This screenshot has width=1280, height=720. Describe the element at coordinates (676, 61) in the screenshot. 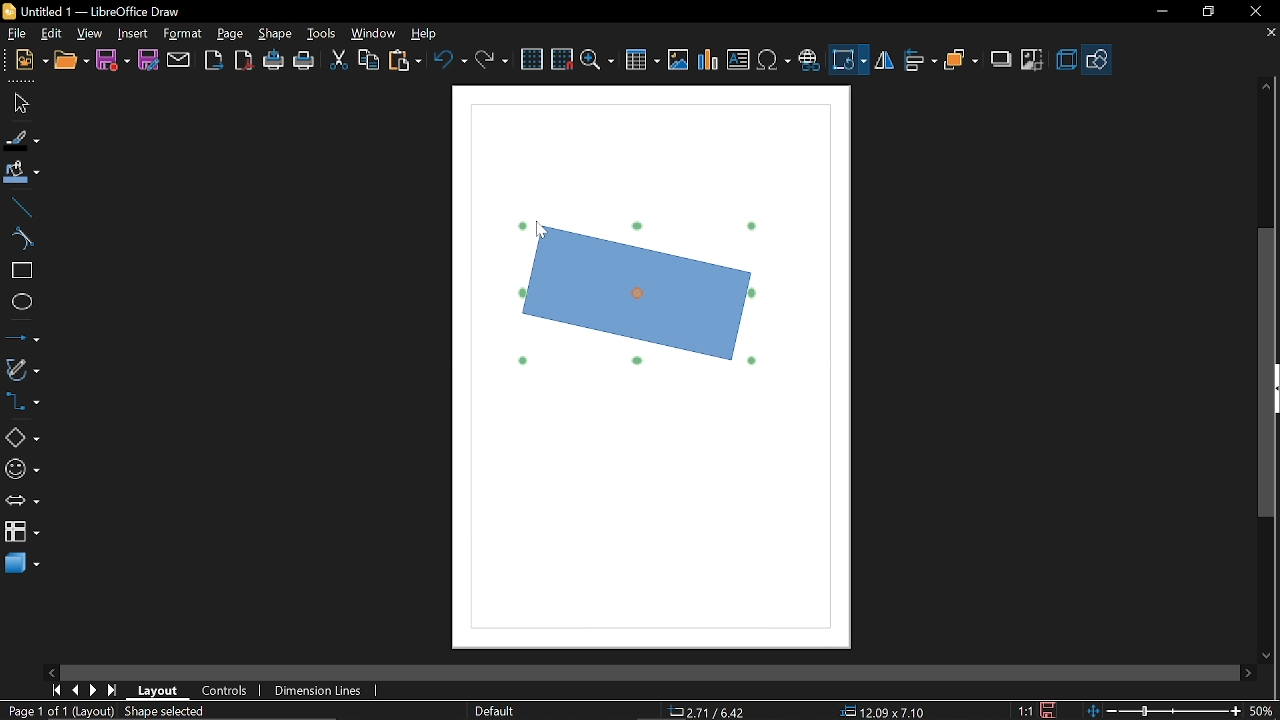

I see `Insert Image` at that location.